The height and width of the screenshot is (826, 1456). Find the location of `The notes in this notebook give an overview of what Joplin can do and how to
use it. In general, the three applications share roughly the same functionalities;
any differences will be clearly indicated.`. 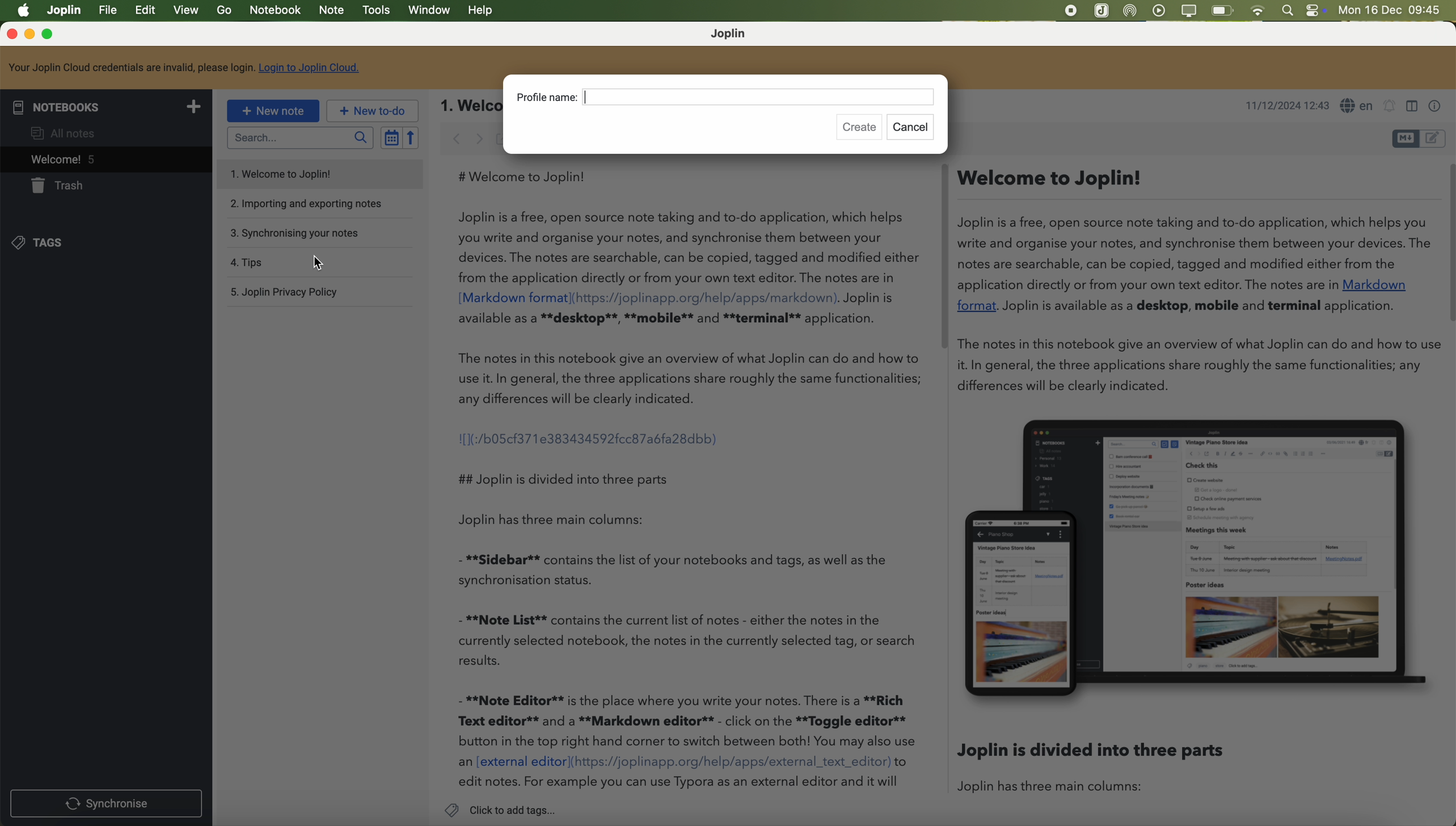

The notes in this notebook give an overview of what Joplin can do and how to
use it. In general, the three applications share roughly the same functionalities;
any differences will be clearly indicated. is located at coordinates (692, 378).